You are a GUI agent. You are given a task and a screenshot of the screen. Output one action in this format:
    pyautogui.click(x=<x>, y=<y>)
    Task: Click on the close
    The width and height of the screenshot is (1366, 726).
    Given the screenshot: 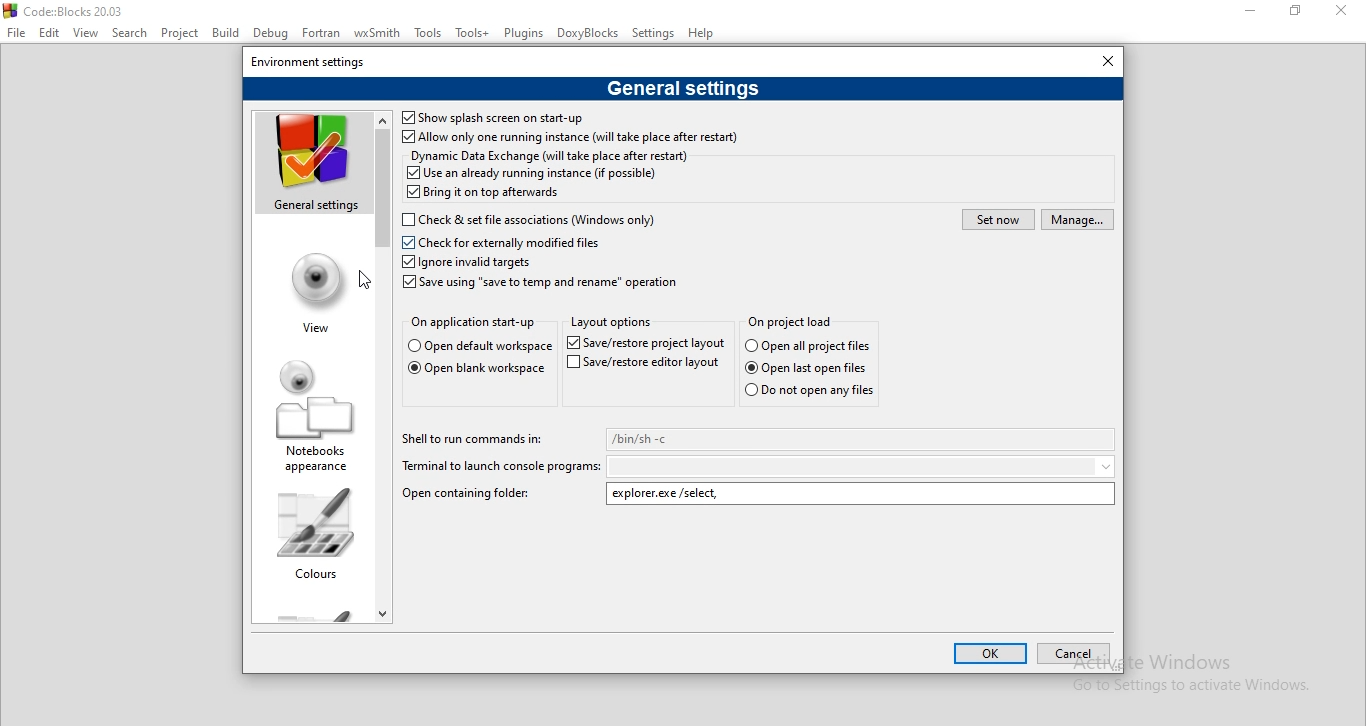 What is the action you would take?
    pyautogui.click(x=1103, y=62)
    